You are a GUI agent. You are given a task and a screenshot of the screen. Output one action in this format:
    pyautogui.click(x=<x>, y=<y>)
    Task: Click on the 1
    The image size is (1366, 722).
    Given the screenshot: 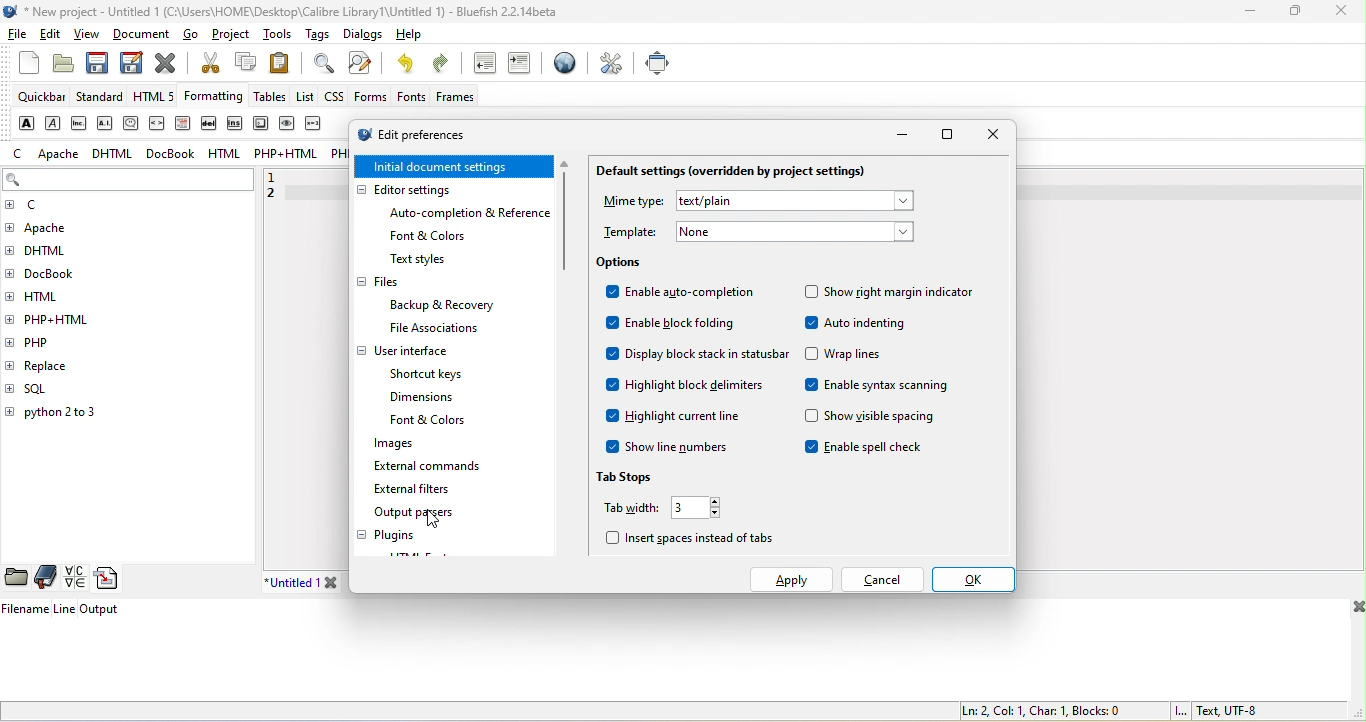 What is the action you would take?
    pyautogui.click(x=281, y=176)
    